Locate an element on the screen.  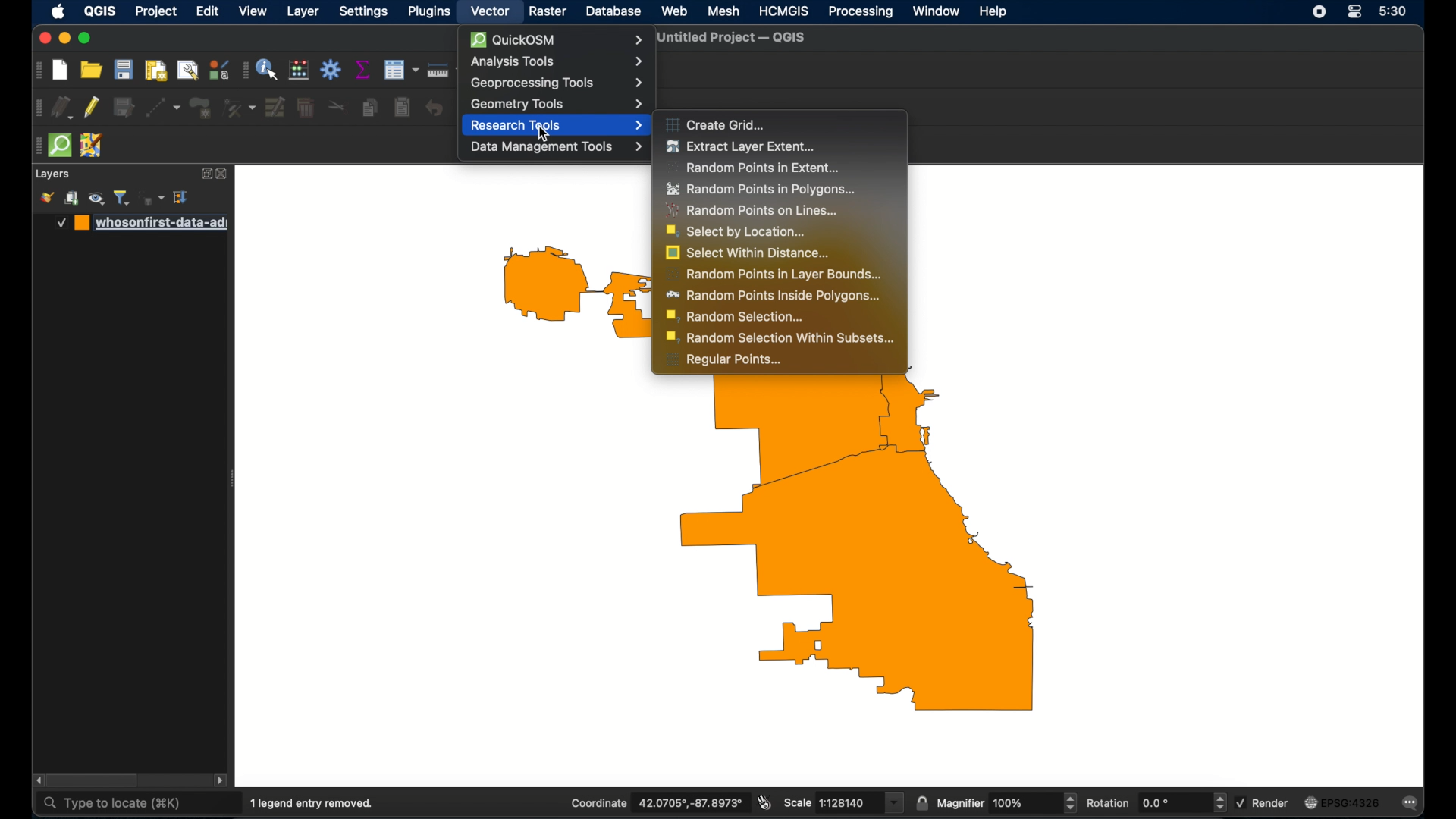
manage map theme is located at coordinates (98, 199).